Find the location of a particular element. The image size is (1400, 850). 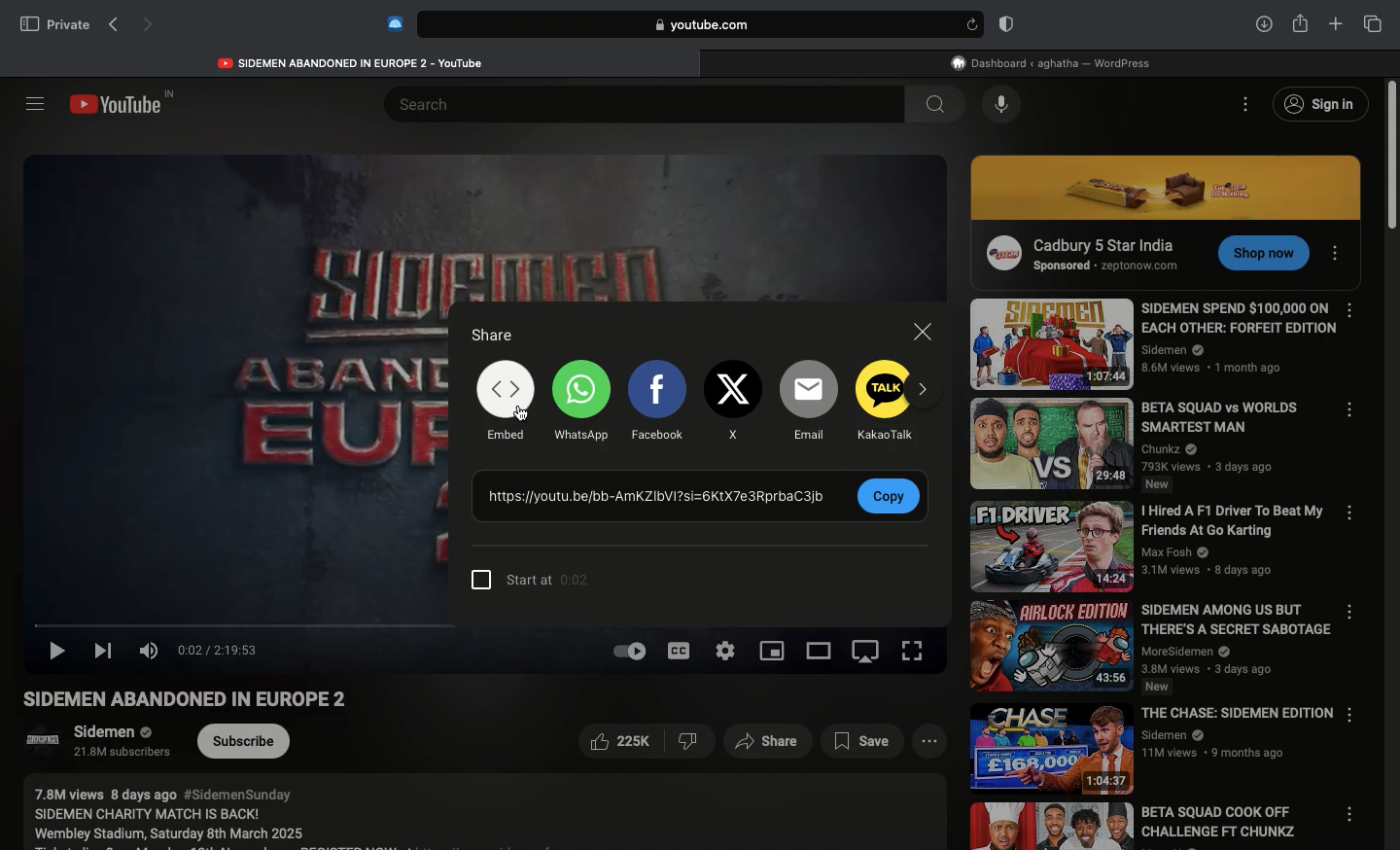

Full screen is located at coordinates (914, 651).